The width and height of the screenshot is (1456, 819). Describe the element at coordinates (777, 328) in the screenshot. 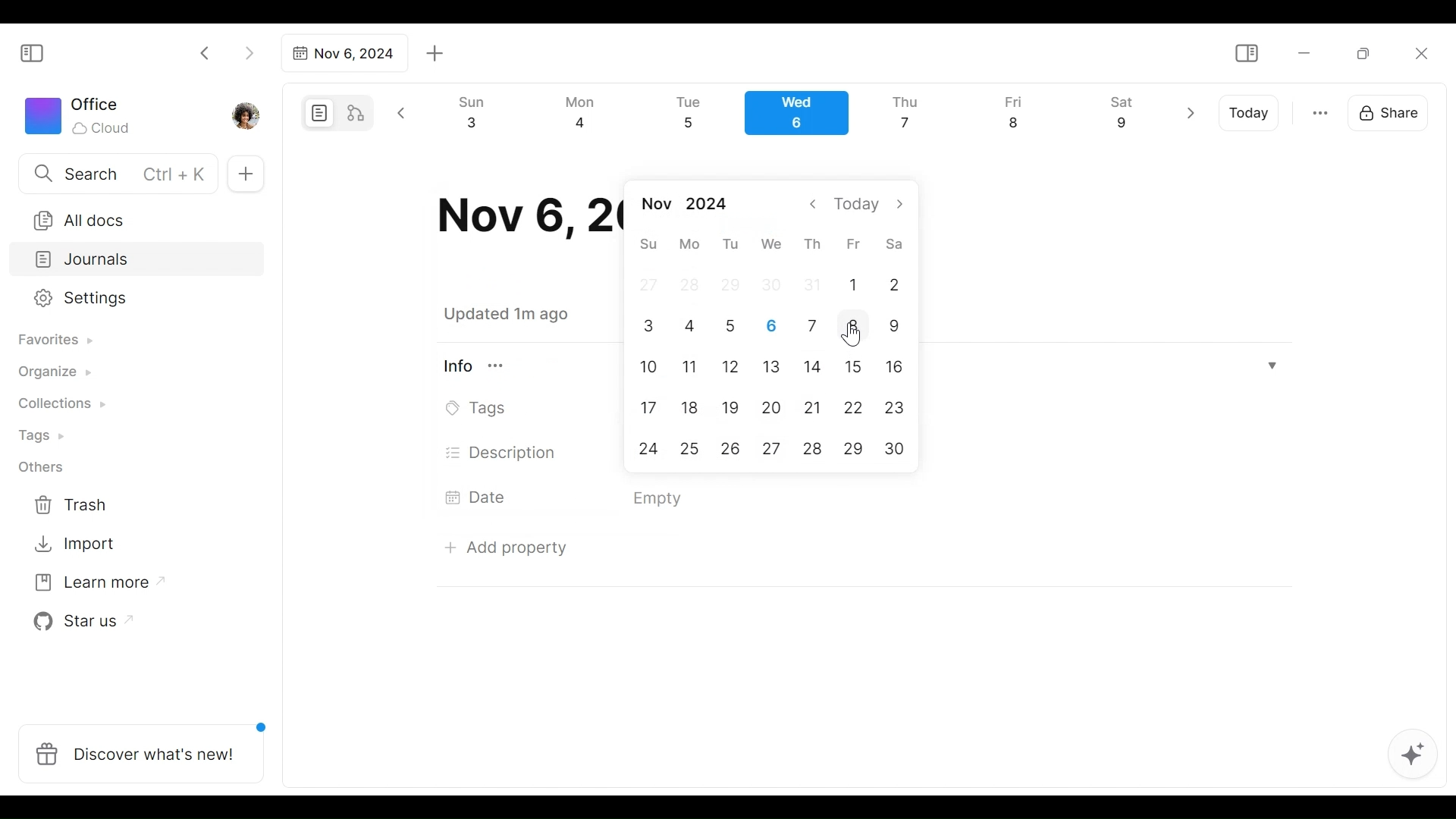

I see `Calendar` at that location.